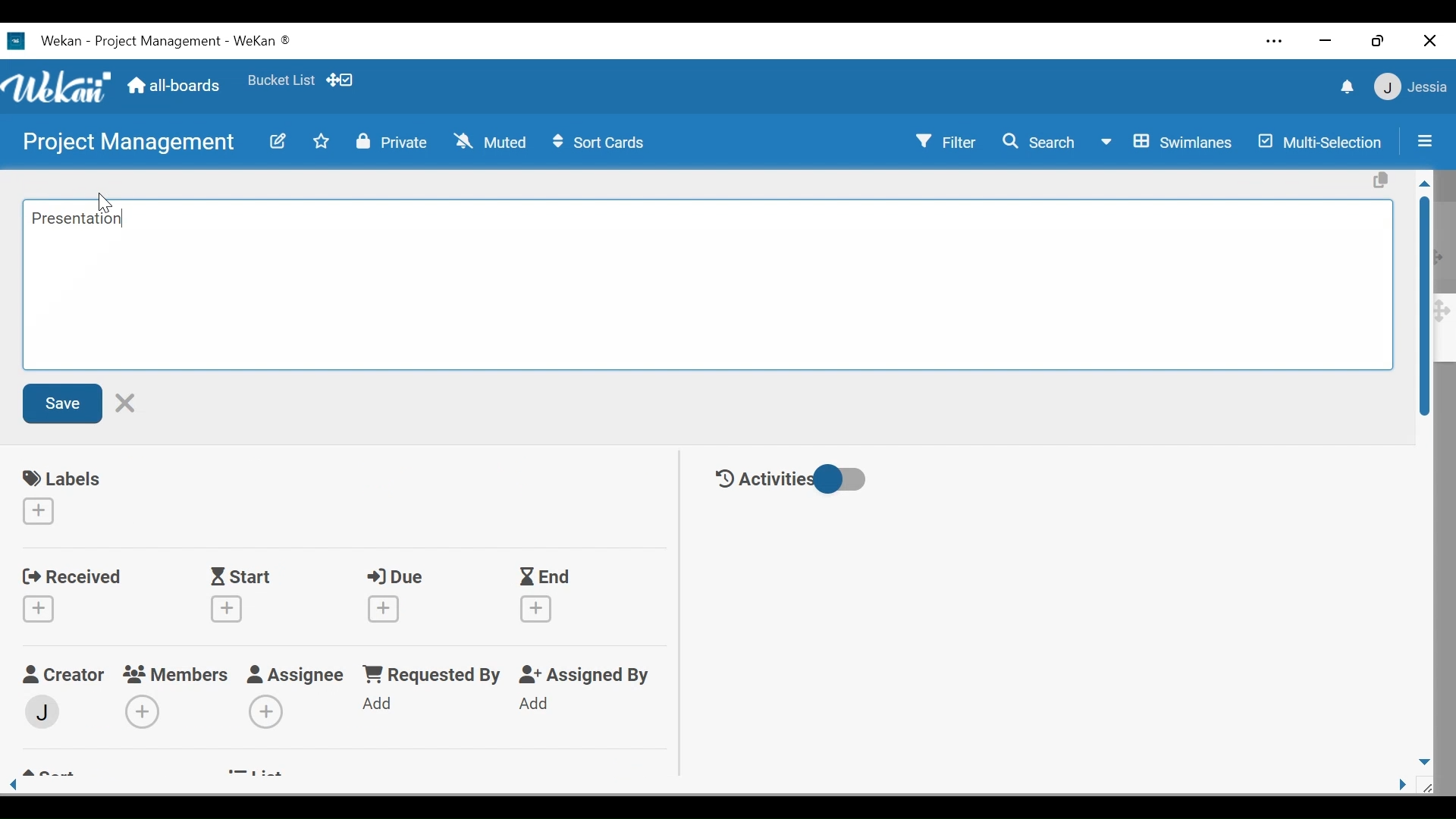 This screenshot has width=1456, height=819. Describe the element at coordinates (177, 87) in the screenshot. I see `All boards` at that location.